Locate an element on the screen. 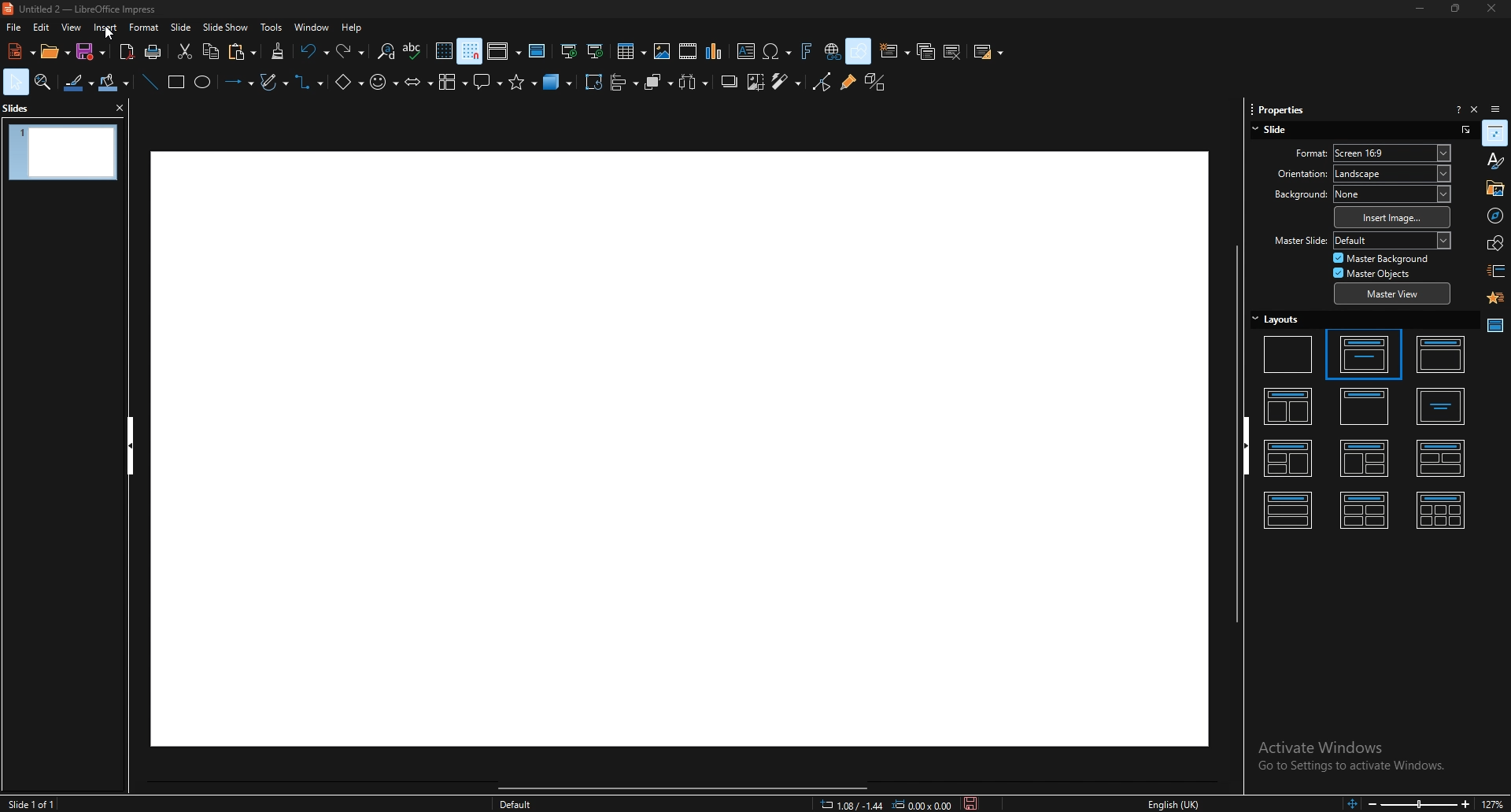 This screenshot has width=1511, height=812. snap to grid is located at coordinates (471, 51).